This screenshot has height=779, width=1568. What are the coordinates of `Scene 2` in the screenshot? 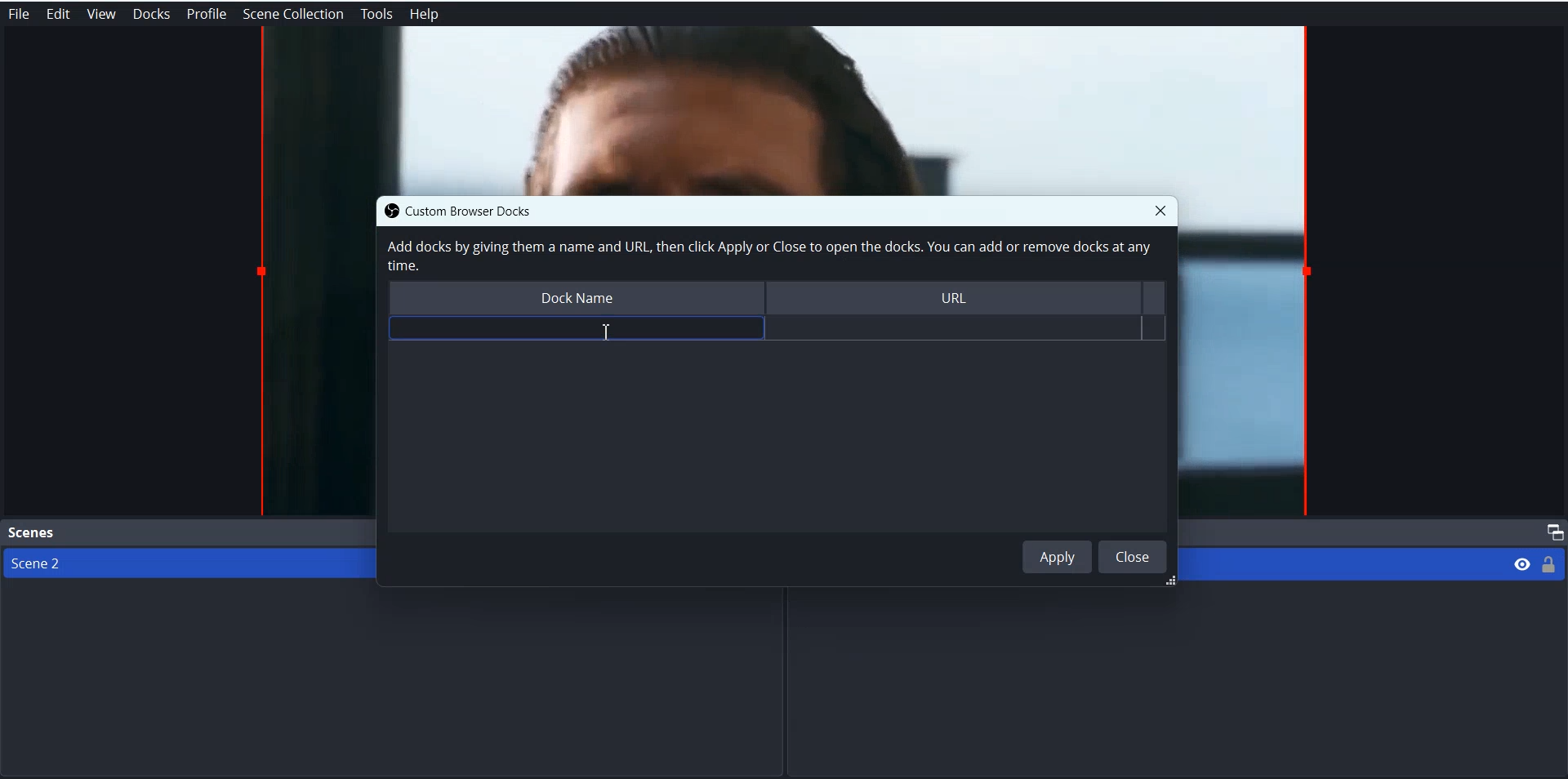 It's located at (180, 563).